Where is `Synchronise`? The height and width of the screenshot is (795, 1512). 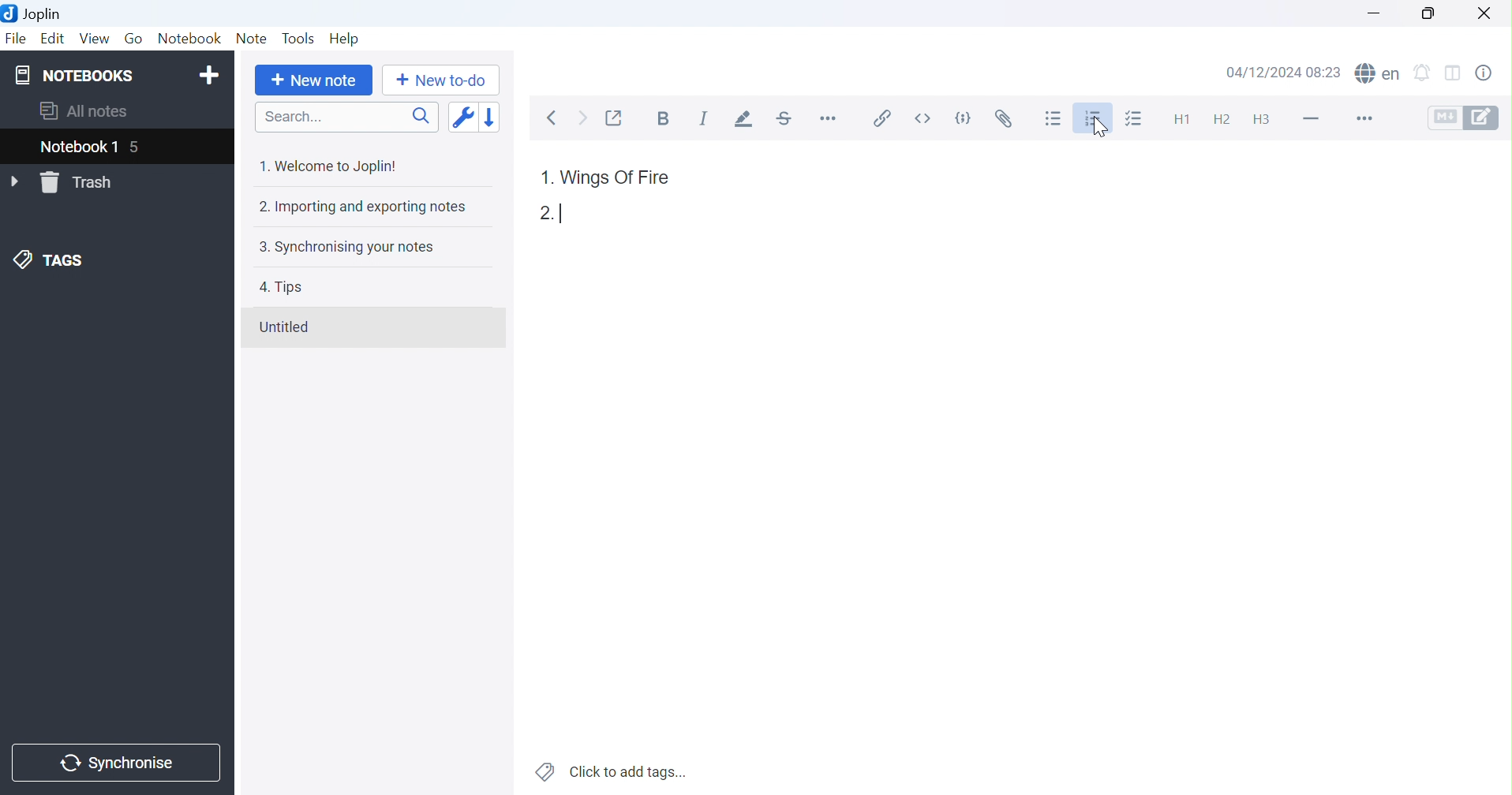
Synchronise is located at coordinates (117, 760).